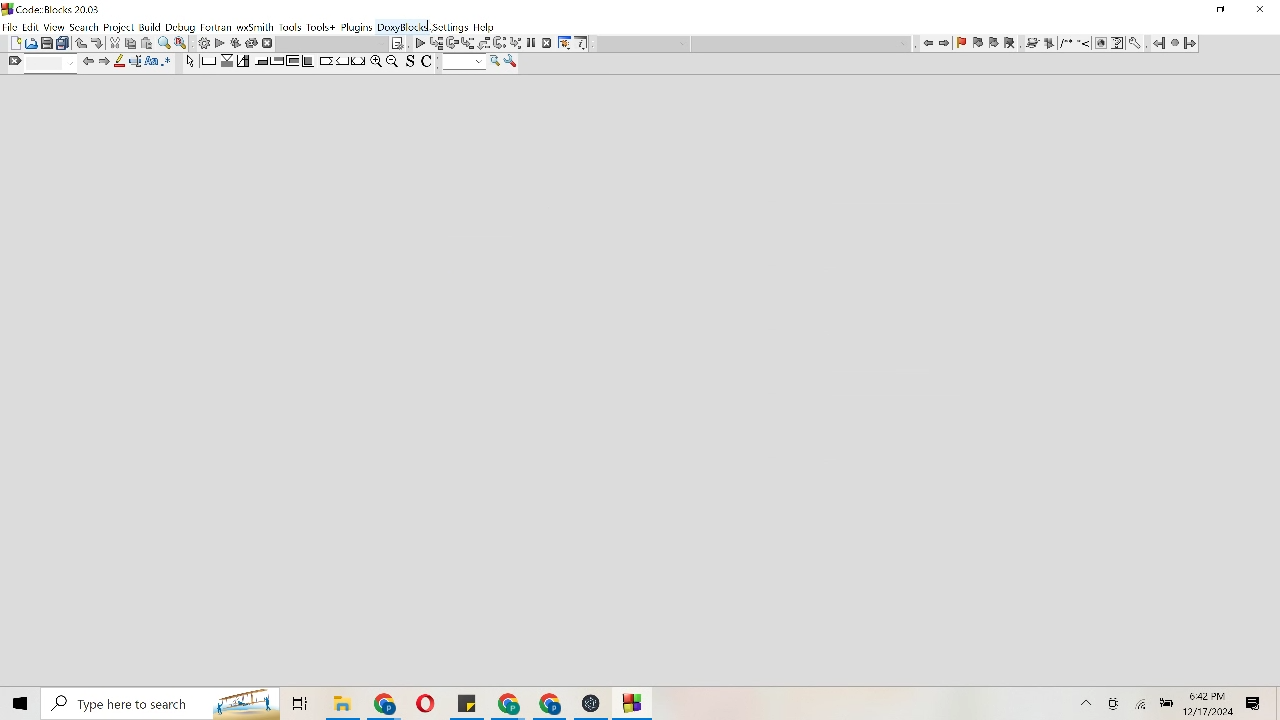  I want to click on Pause, so click(1174, 44).